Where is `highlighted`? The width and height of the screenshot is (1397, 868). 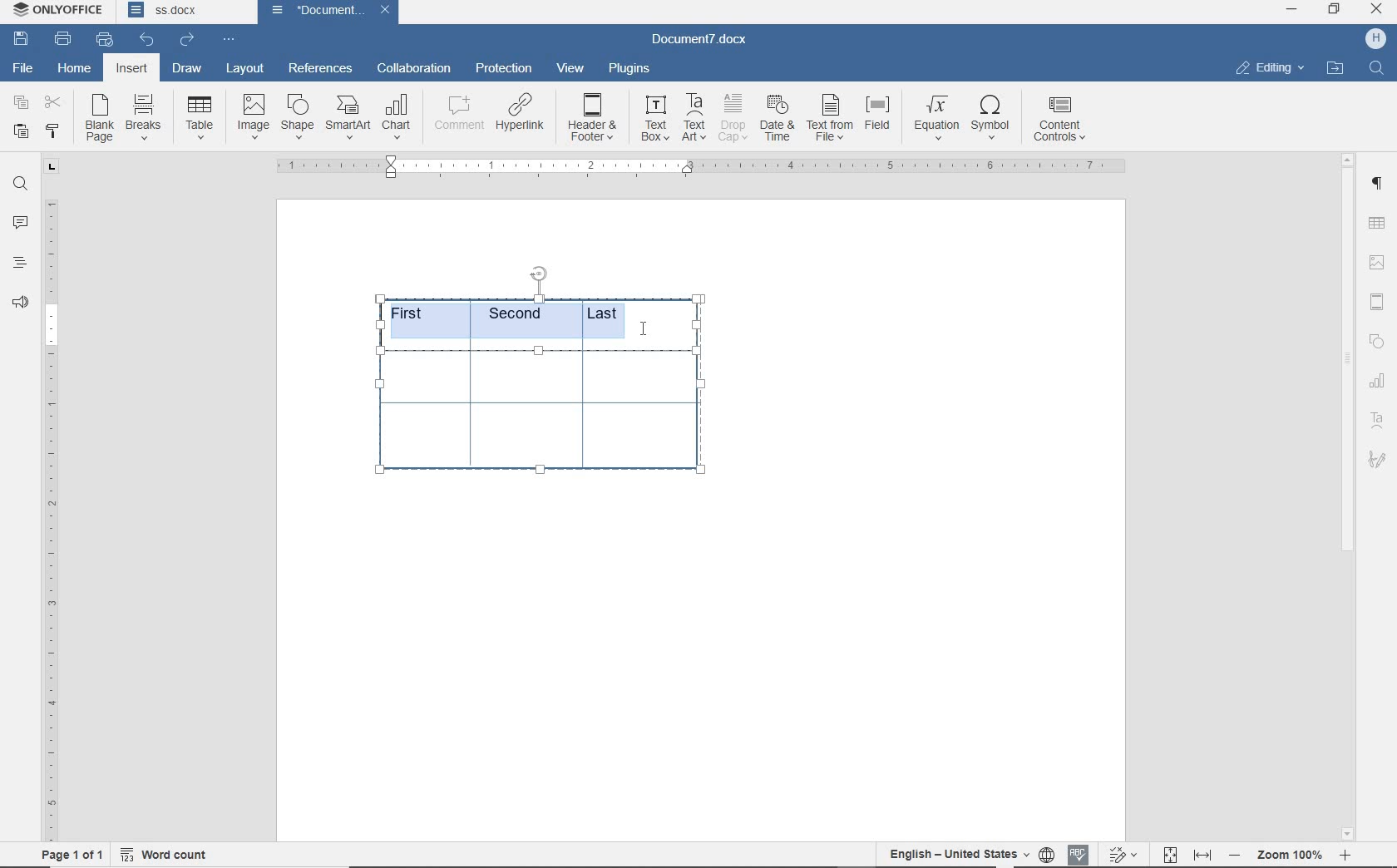 highlighted is located at coordinates (521, 318).